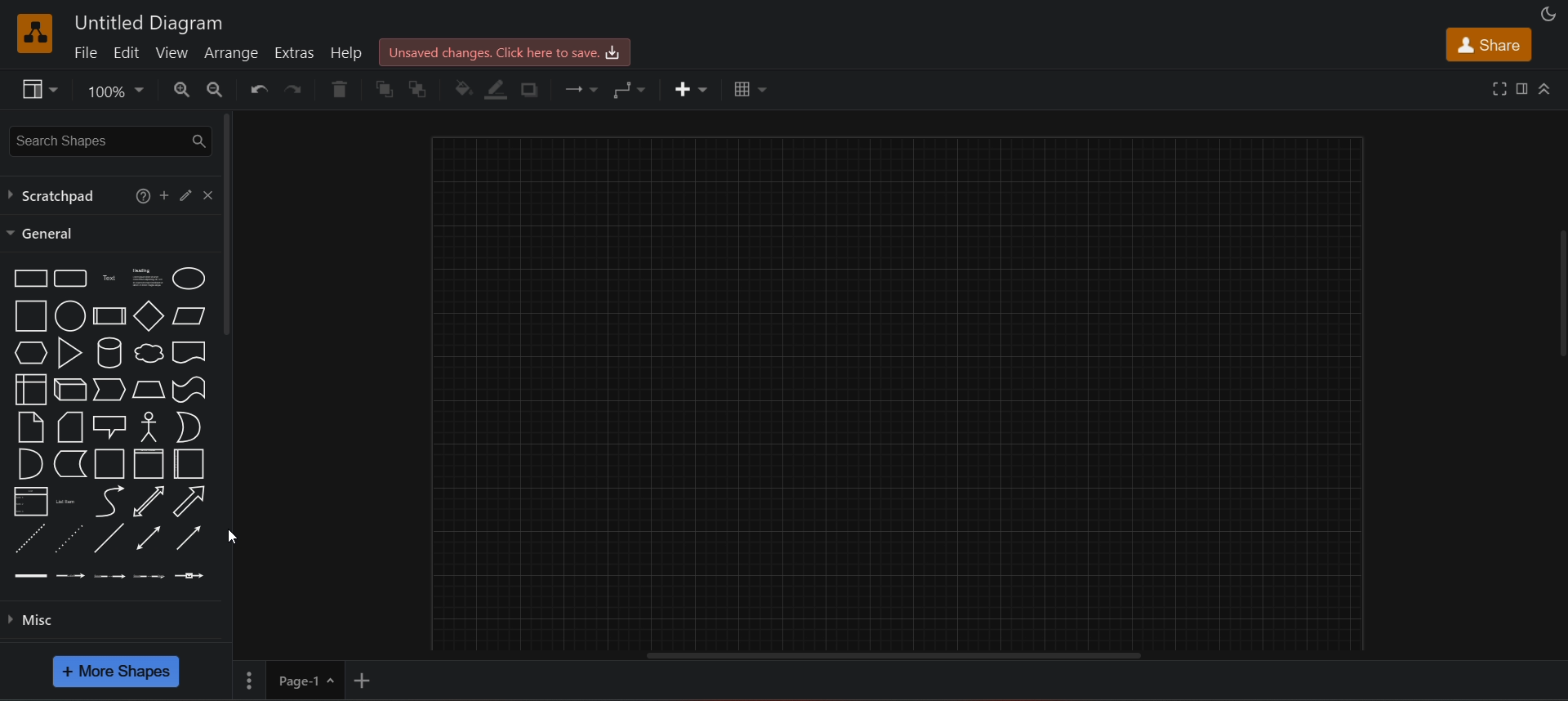  What do you see at coordinates (149, 390) in the screenshot?
I see `trapezoid` at bounding box center [149, 390].